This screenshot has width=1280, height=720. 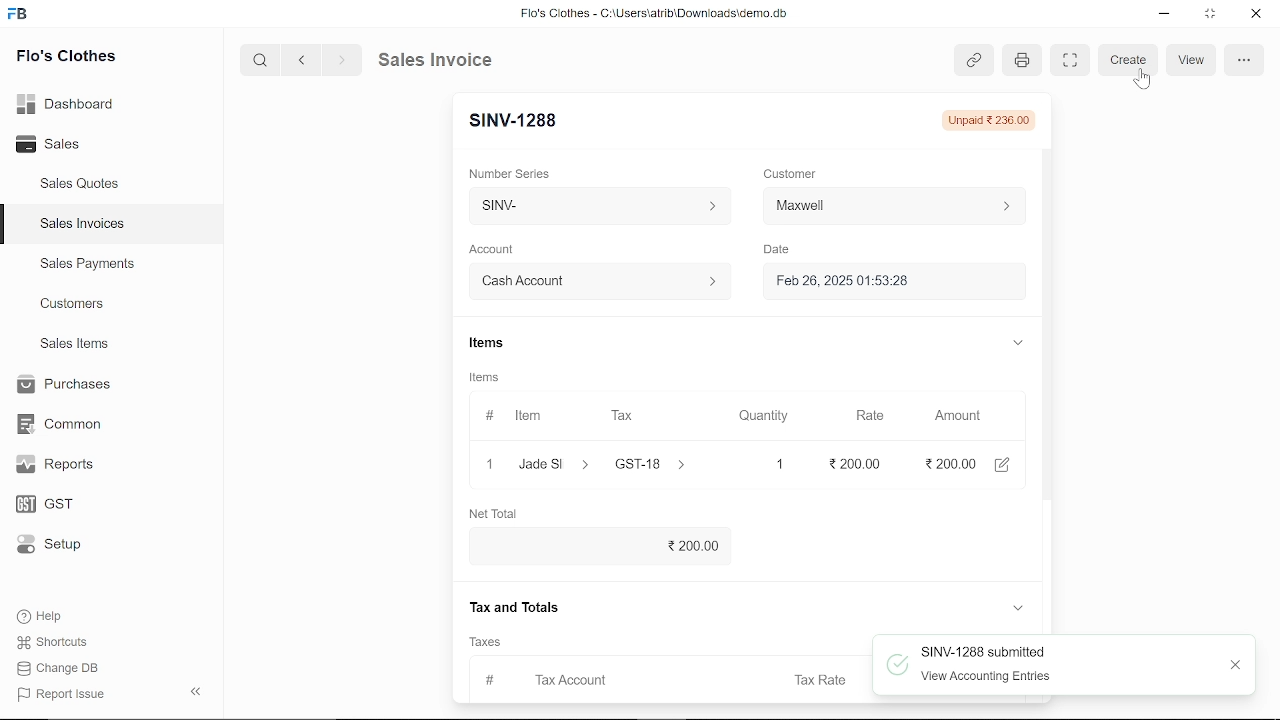 What do you see at coordinates (847, 464) in the screenshot?
I see `200.00` at bounding box center [847, 464].